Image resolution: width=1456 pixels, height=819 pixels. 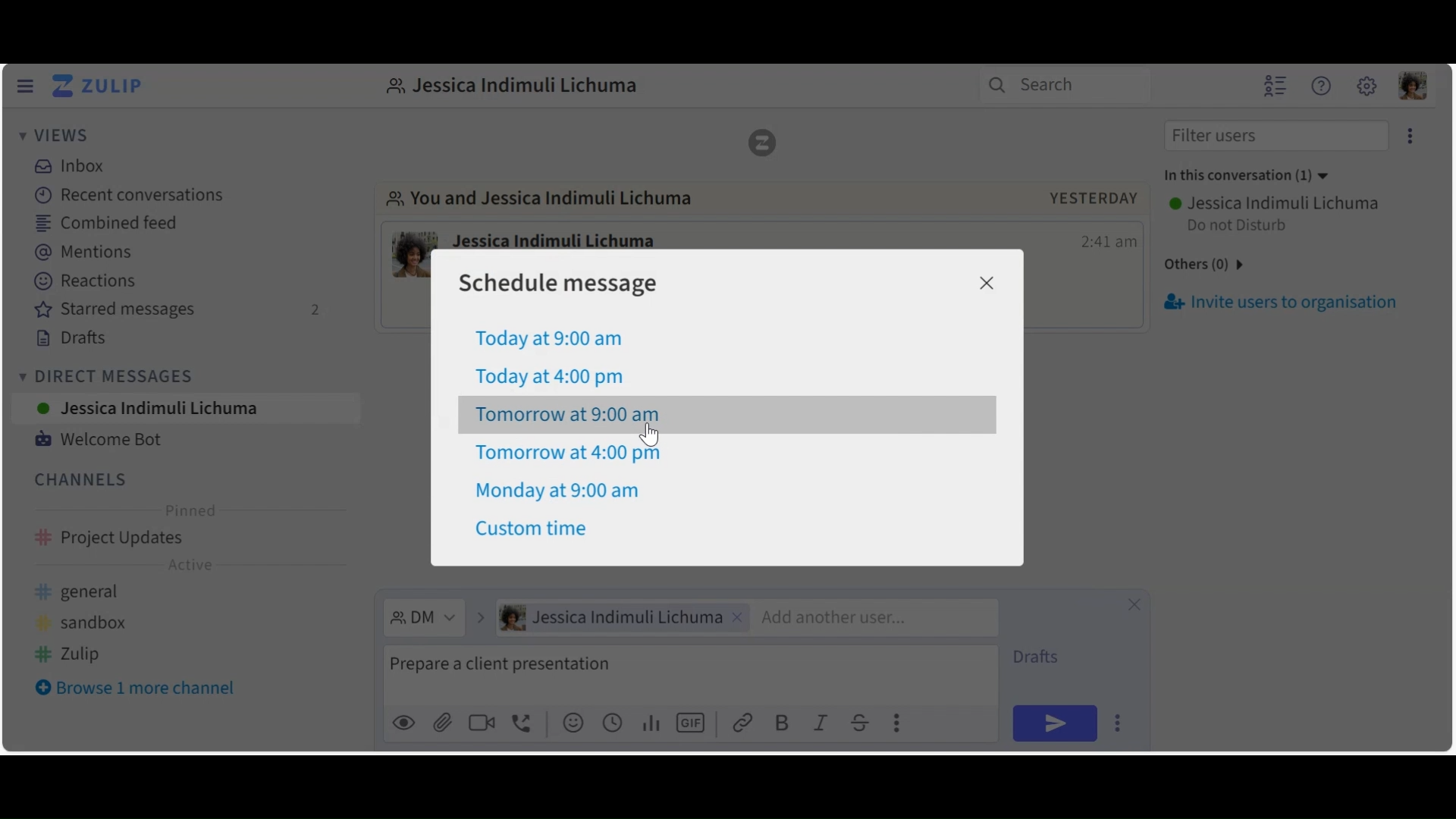 I want to click on Reactions, so click(x=80, y=282).